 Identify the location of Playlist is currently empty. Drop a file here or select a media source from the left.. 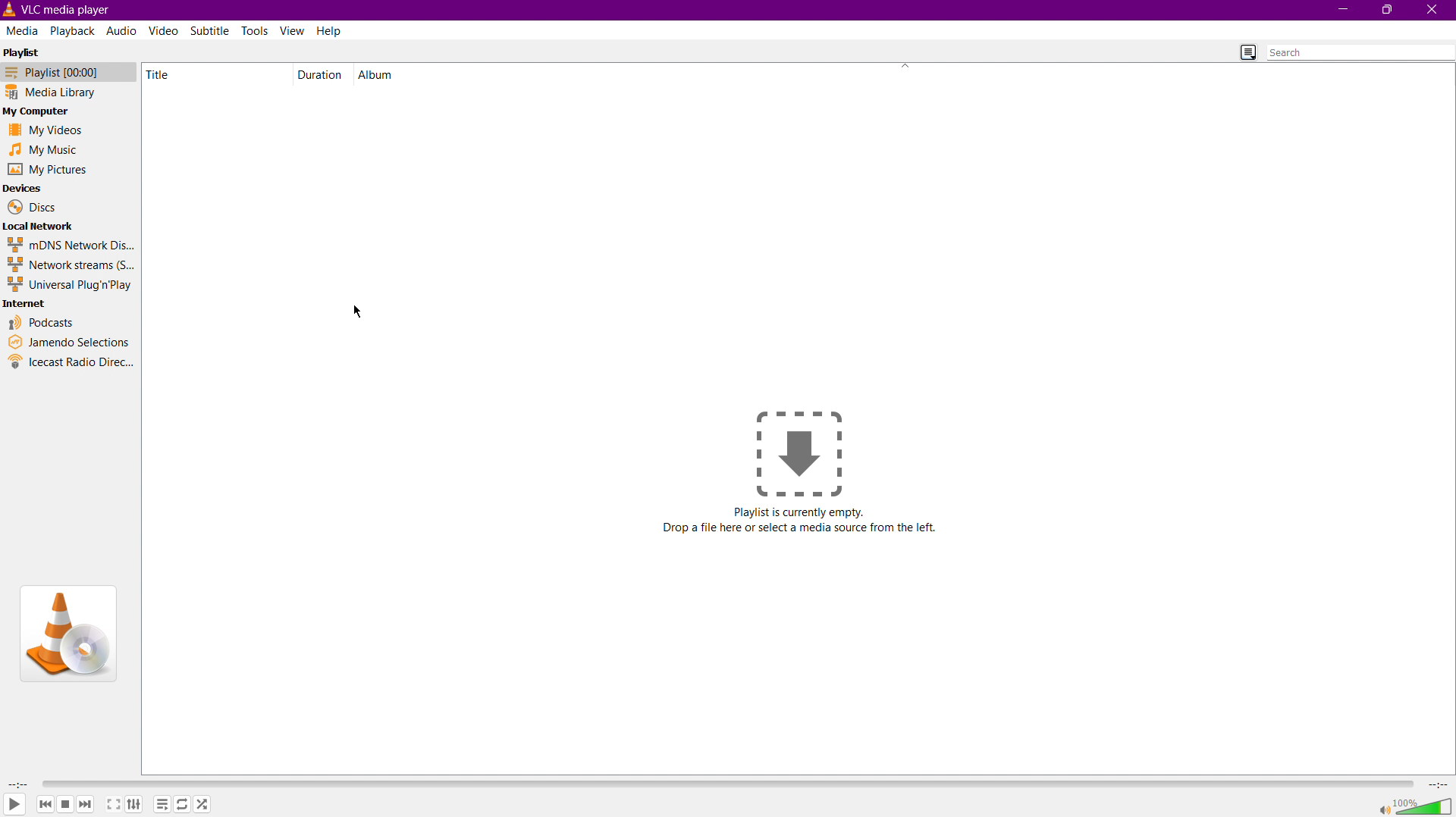
(805, 521).